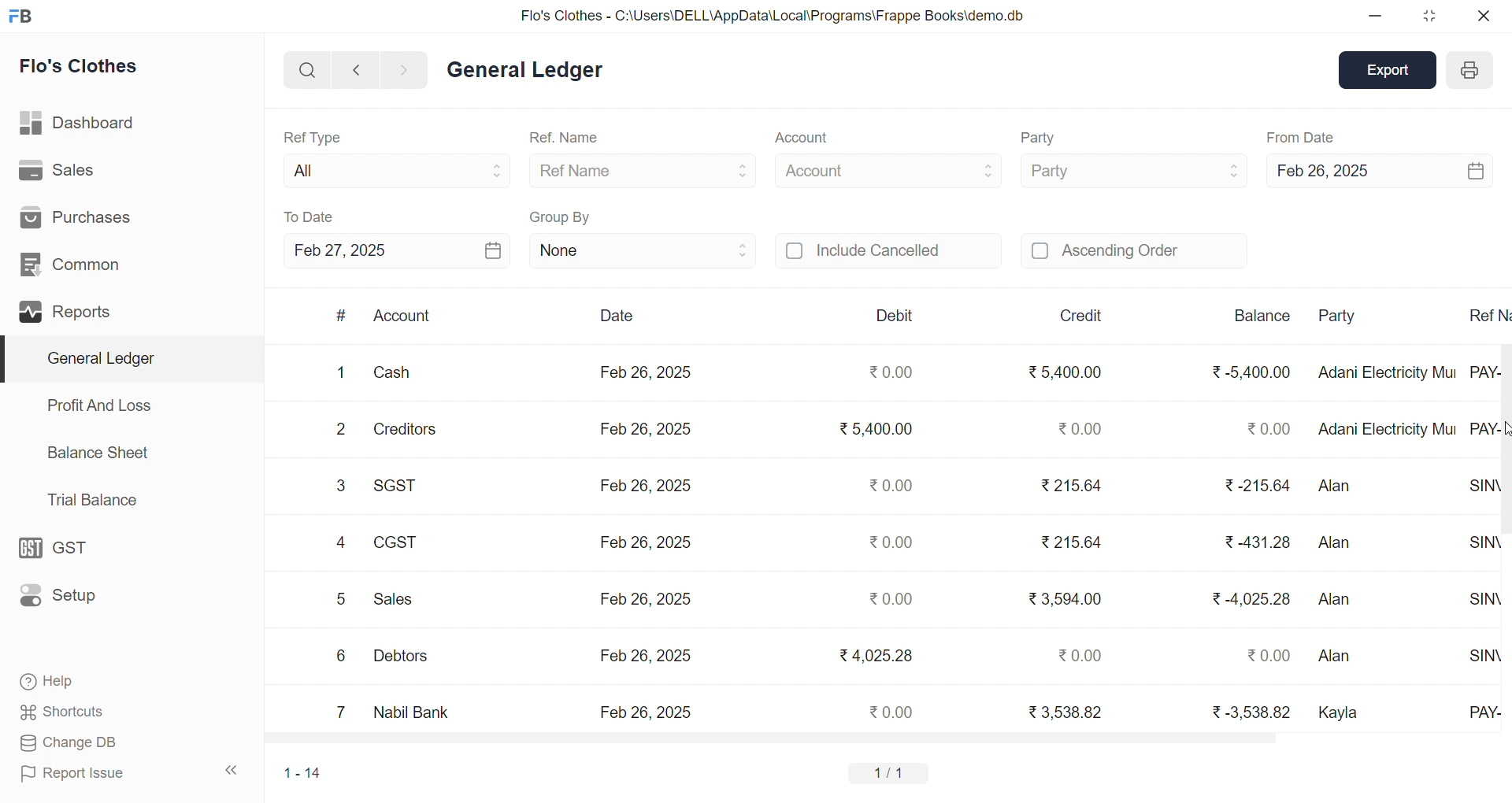 The height and width of the screenshot is (803, 1512). What do you see at coordinates (339, 599) in the screenshot?
I see `5` at bounding box center [339, 599].